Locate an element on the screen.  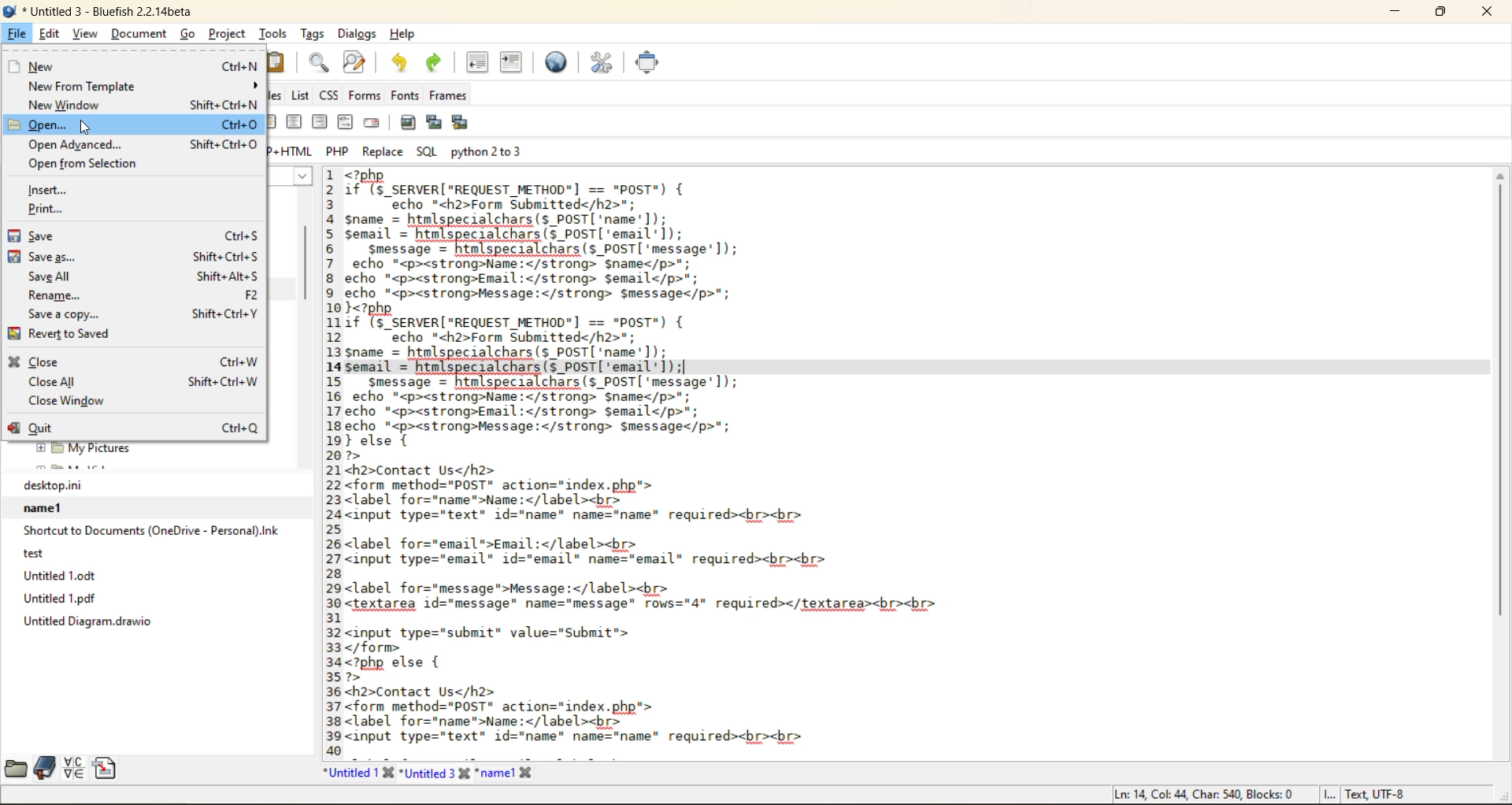
maximize is located at coordinates (1442, 14).